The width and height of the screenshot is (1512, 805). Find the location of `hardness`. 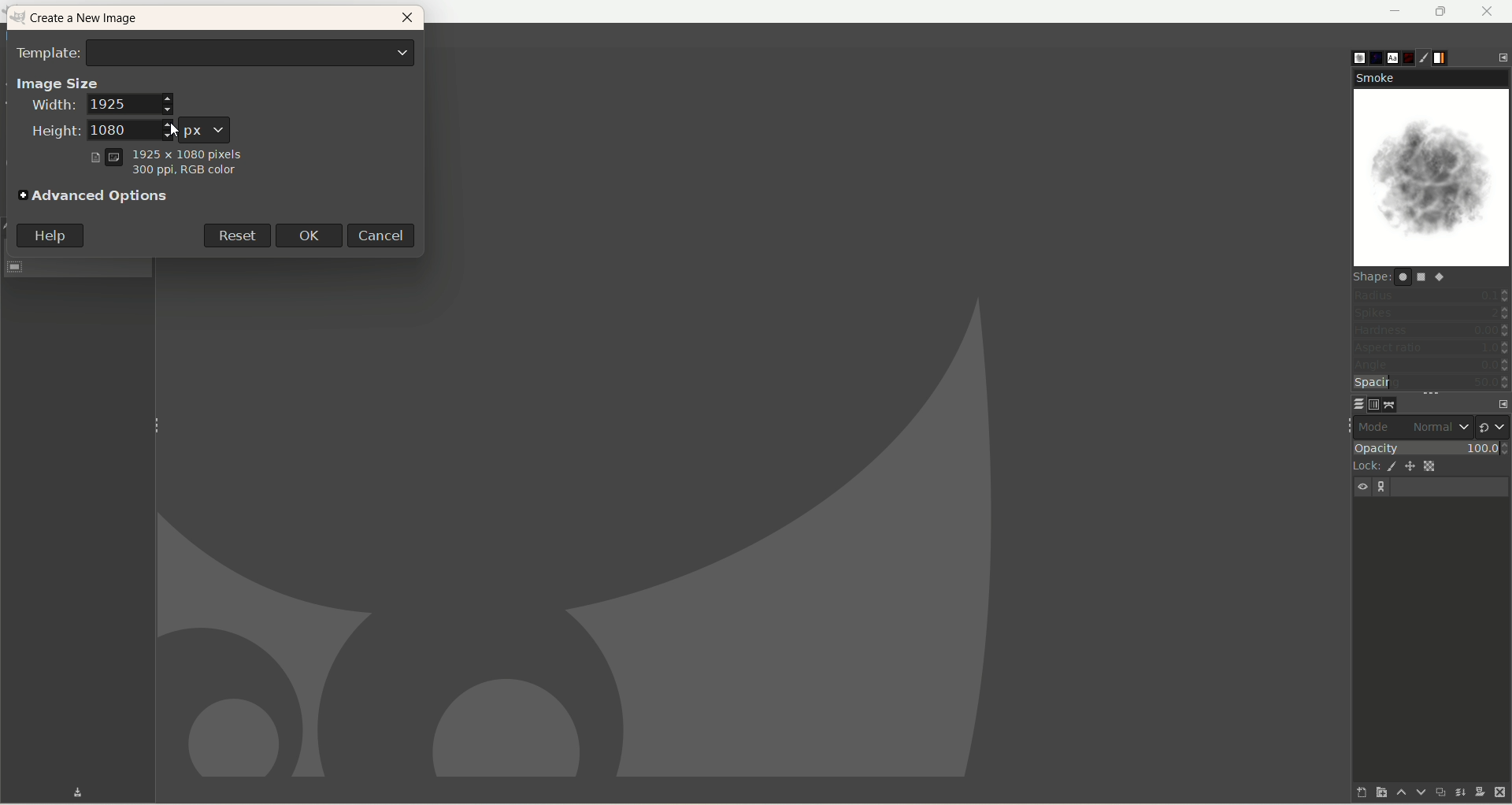

hardness is located at coordinates (1431, 332).